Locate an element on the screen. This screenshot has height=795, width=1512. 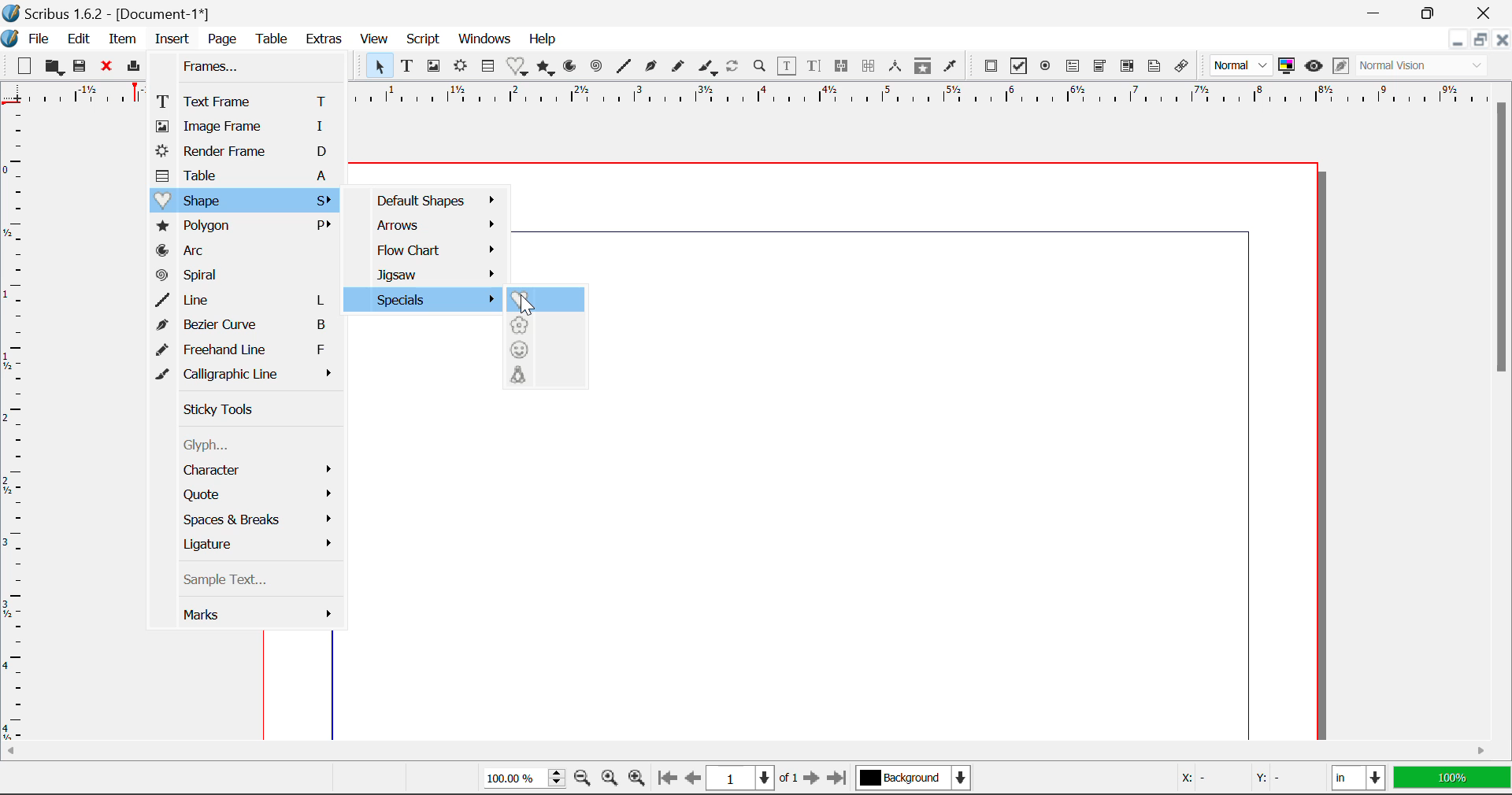
Flower is located at coordinates (547, 325).